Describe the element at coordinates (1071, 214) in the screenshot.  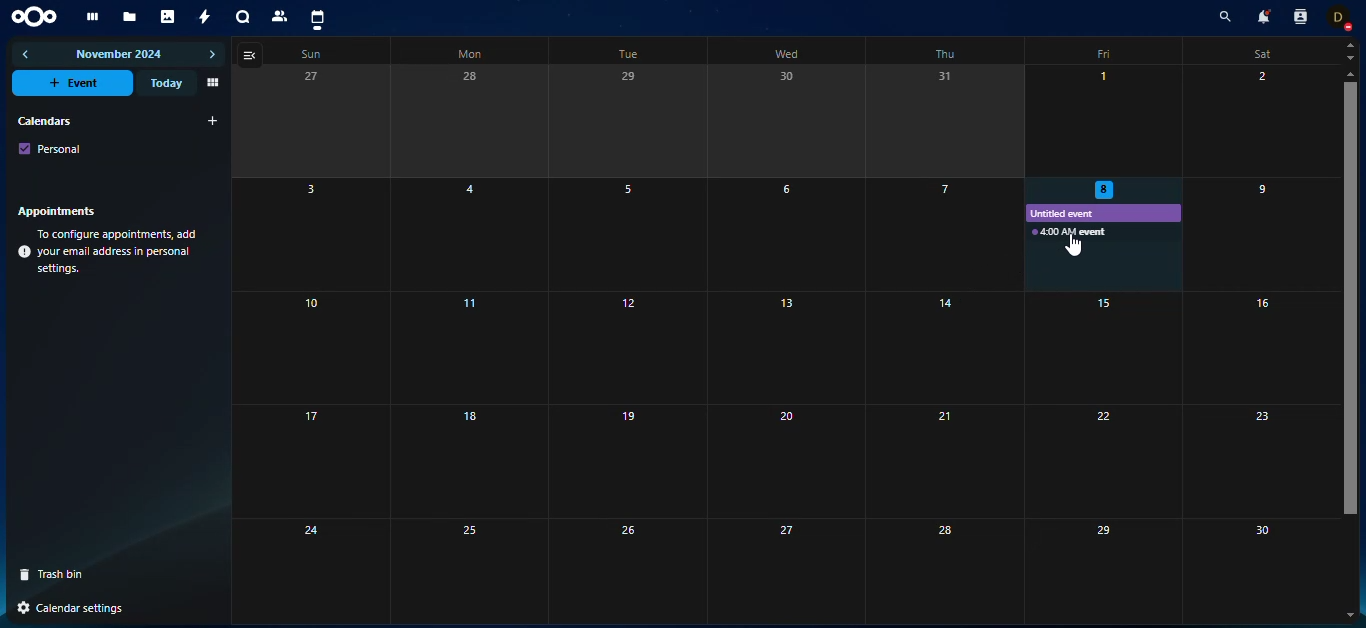
I see `untitled event` at that location.